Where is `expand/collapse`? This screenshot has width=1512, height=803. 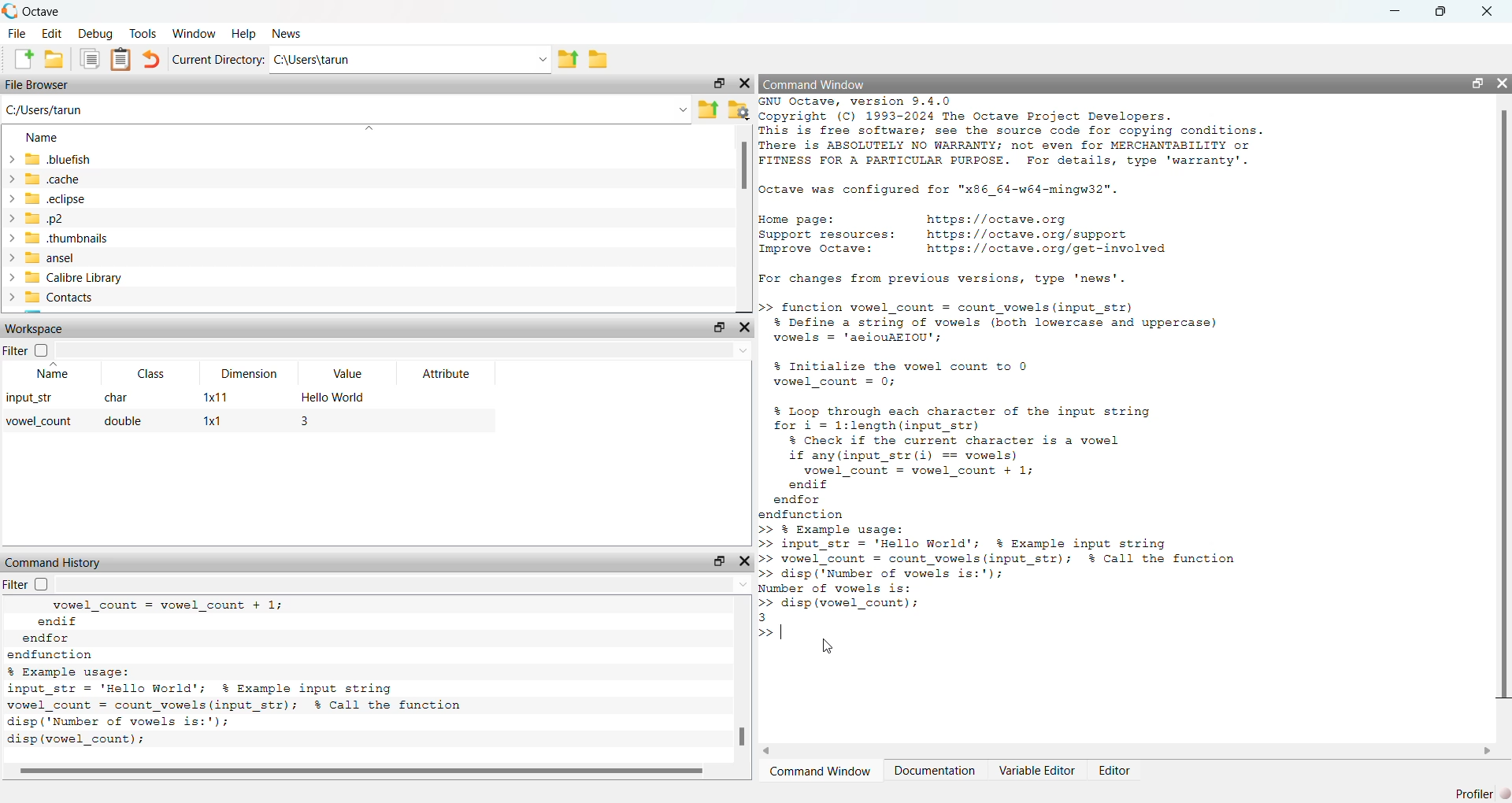
expand/collapse is located at coordinates (10, 238).